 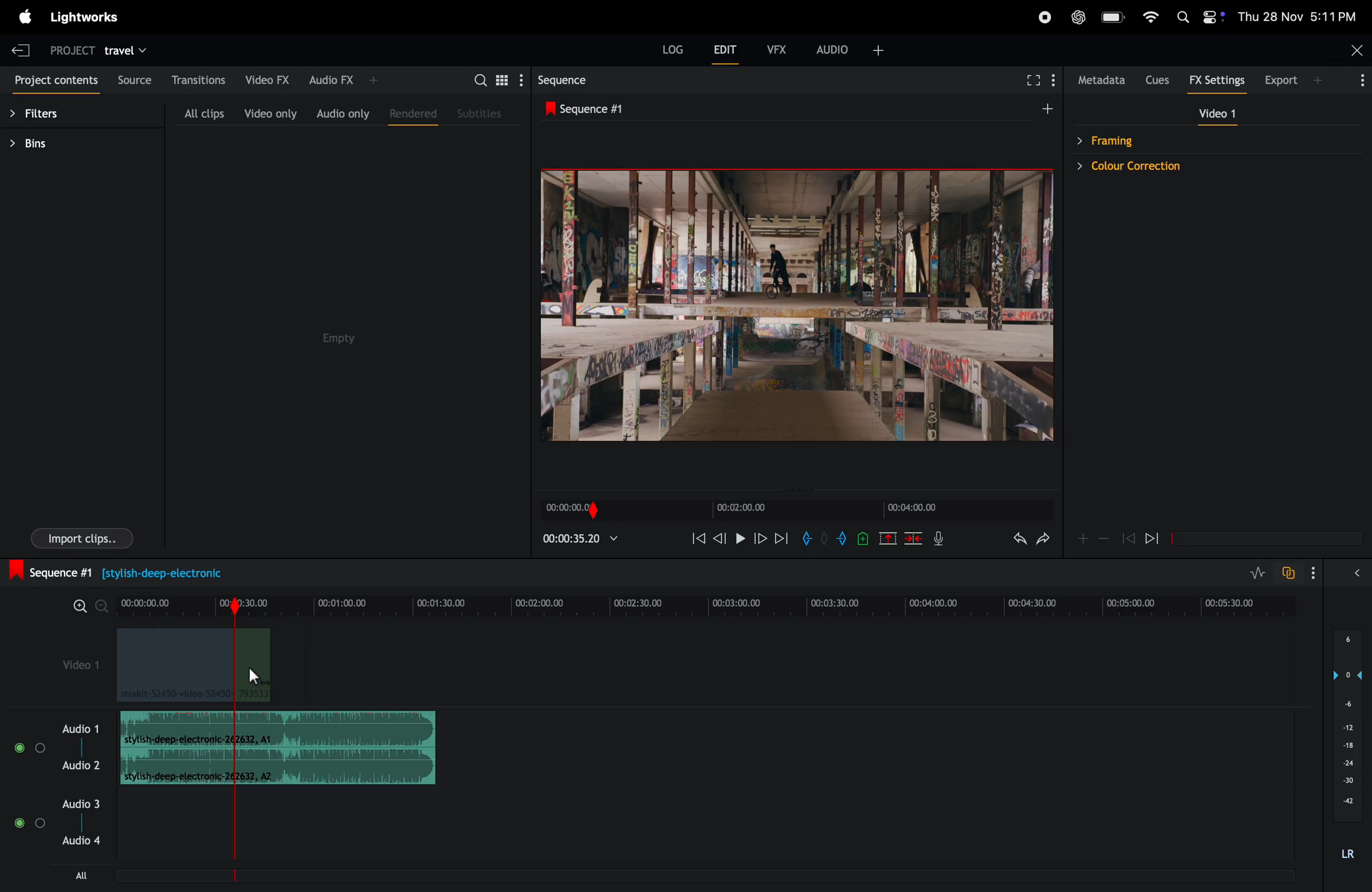 What do you see at coordinates (252, 677) in the screenshot?
I see `Mouse Cursor` at bounding box center [252, 677].